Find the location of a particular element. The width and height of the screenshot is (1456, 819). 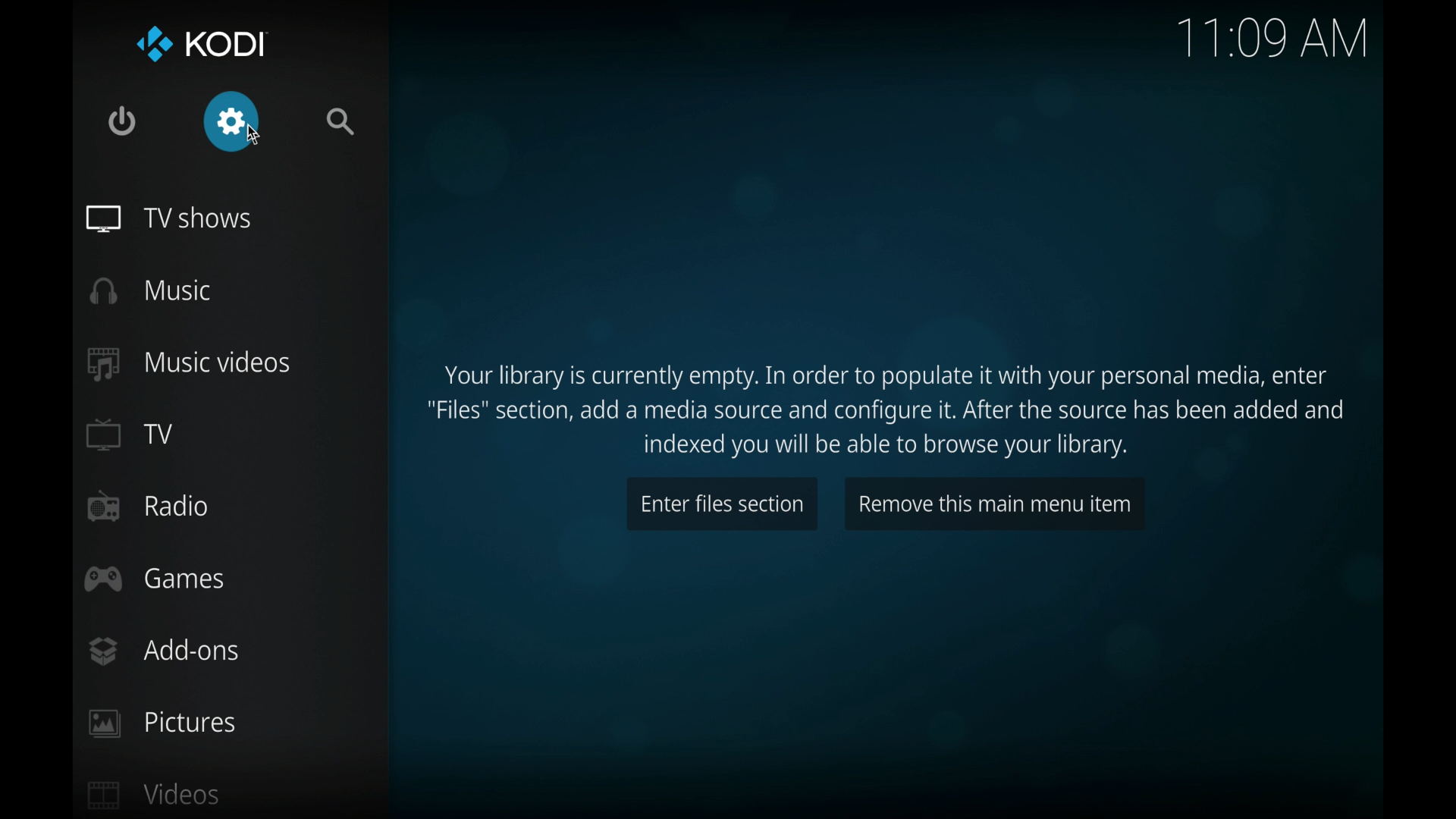

add-ons is located at coordinates (164, 651).